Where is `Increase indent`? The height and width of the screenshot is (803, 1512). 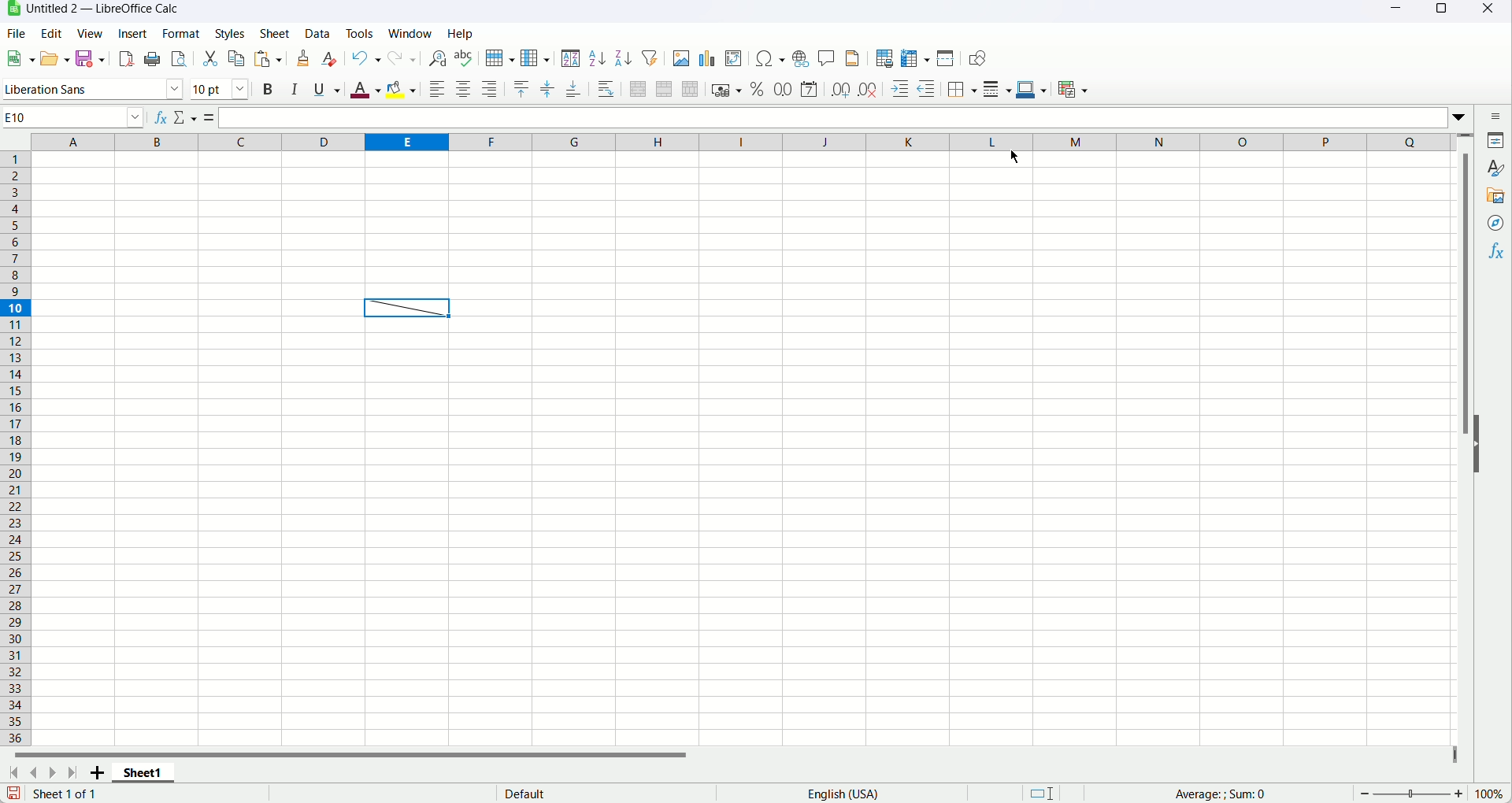 Increase indent is located at coordinates (897, 89).